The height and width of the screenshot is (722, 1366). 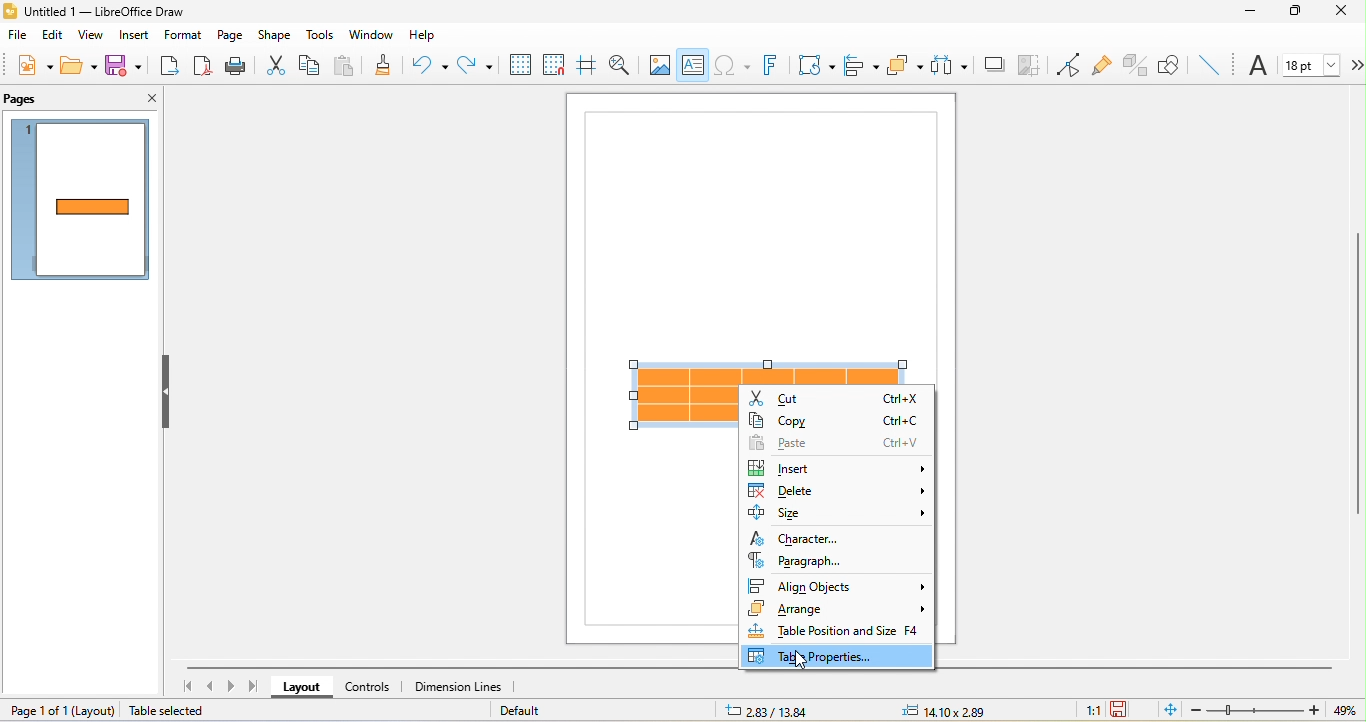 What do you see at coordinates (33, 64) in the screenshot?
I see `new` at bounding box center [33, 64].